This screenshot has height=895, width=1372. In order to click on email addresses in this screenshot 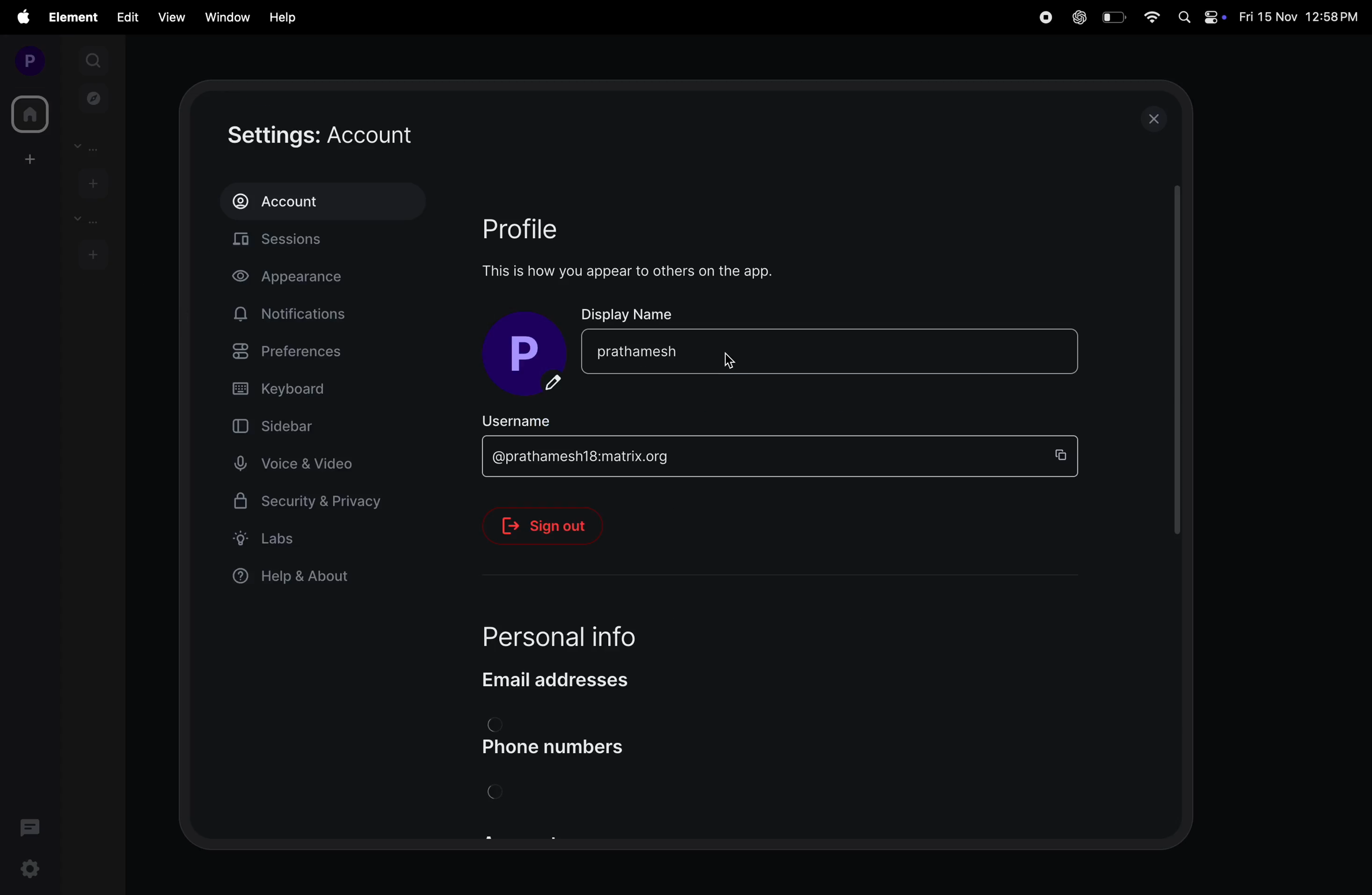, I will do `click(568, 679)`.